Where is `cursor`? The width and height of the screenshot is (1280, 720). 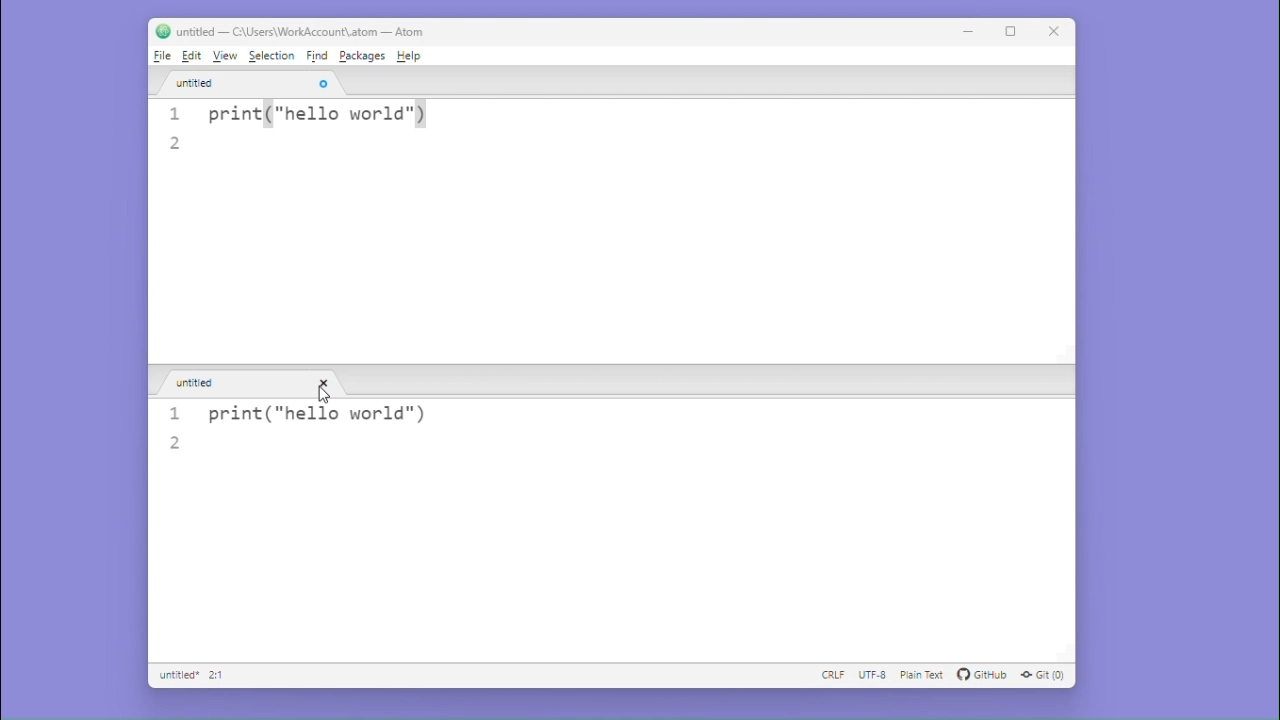 cursor is located at coordinates (333, 391).